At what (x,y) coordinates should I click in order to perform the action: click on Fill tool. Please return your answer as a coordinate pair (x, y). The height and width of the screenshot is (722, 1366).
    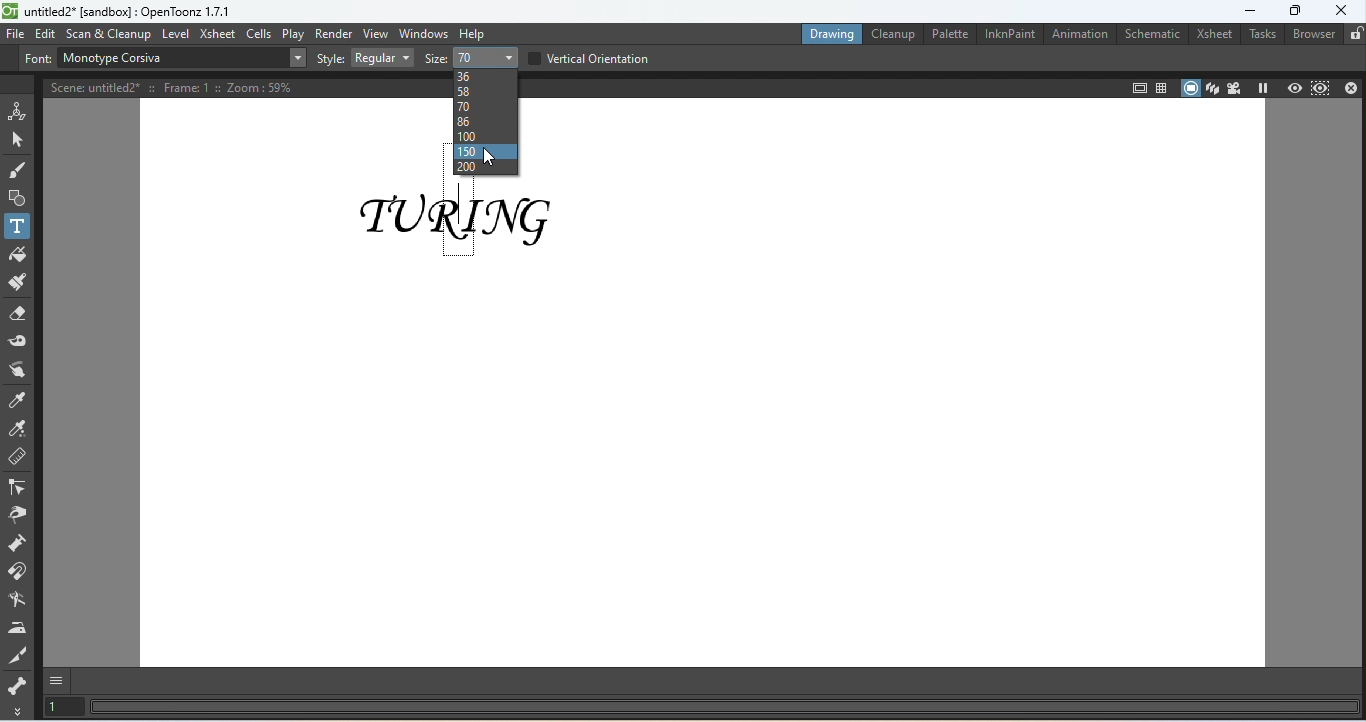
    Looking at the image, I should click on (17, 253).